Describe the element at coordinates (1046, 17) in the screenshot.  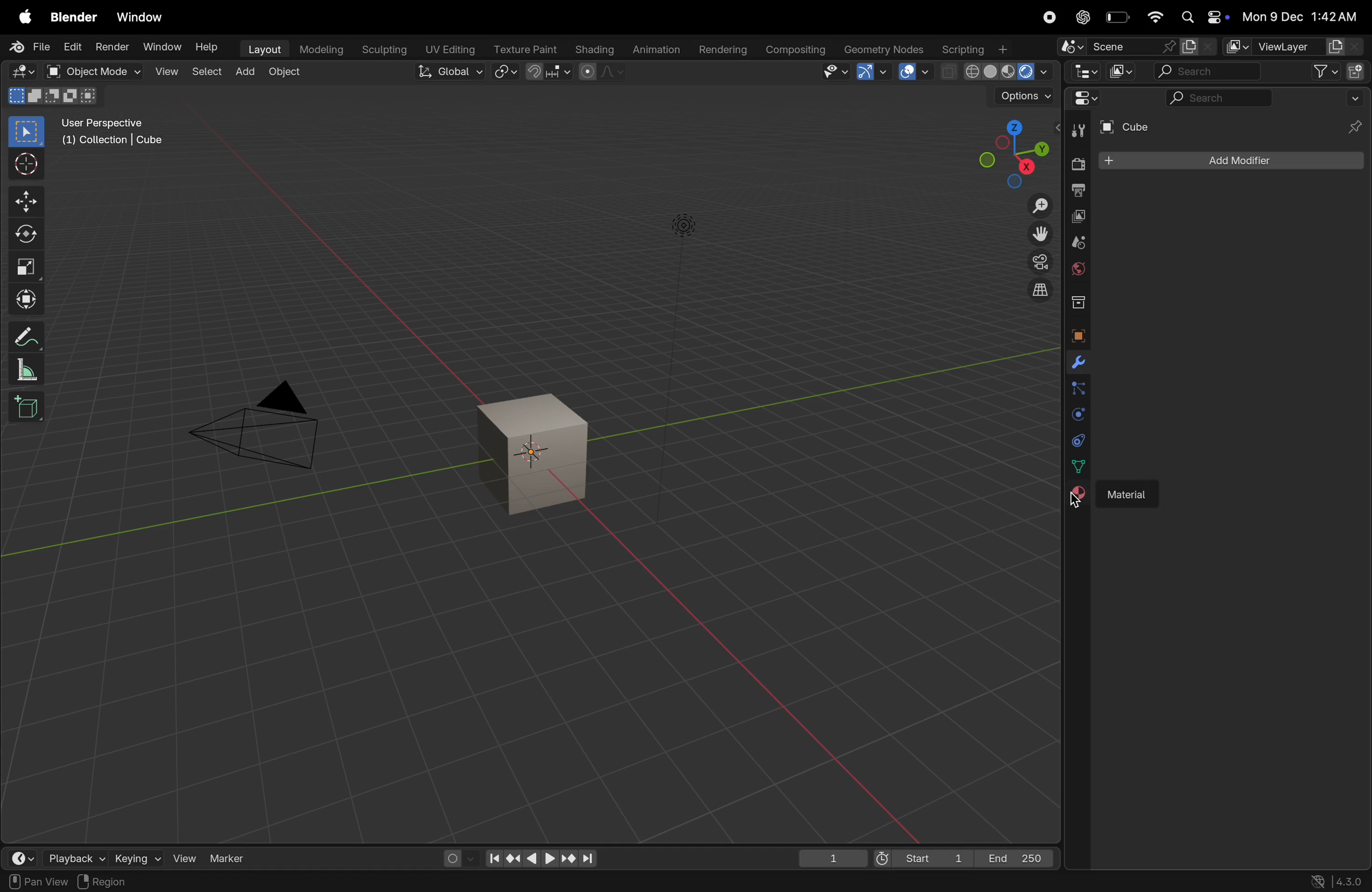
I see `record` at that location.